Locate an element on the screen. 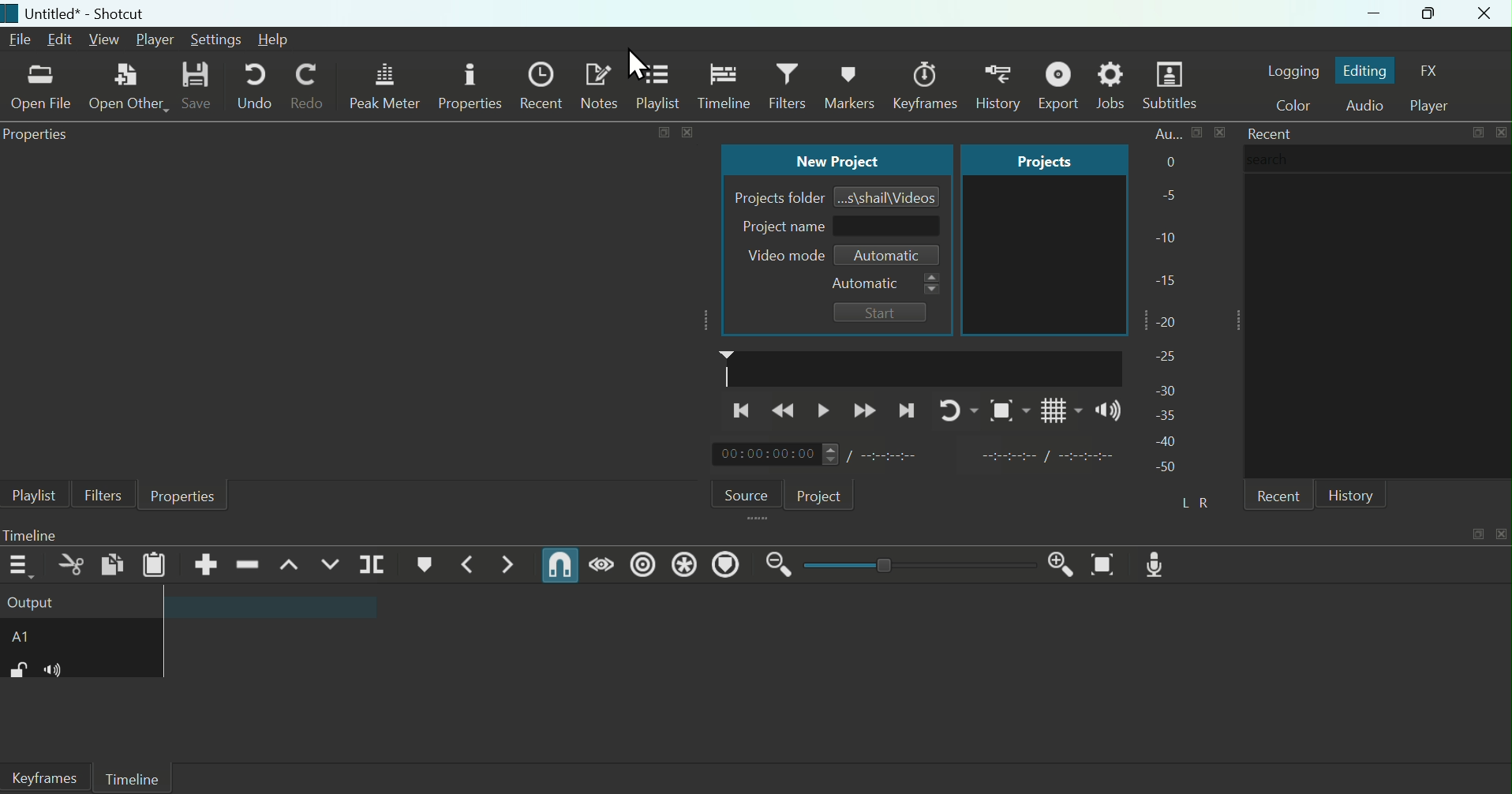 The image size is (1512, 794). backward is located at coordinates (788, 412).